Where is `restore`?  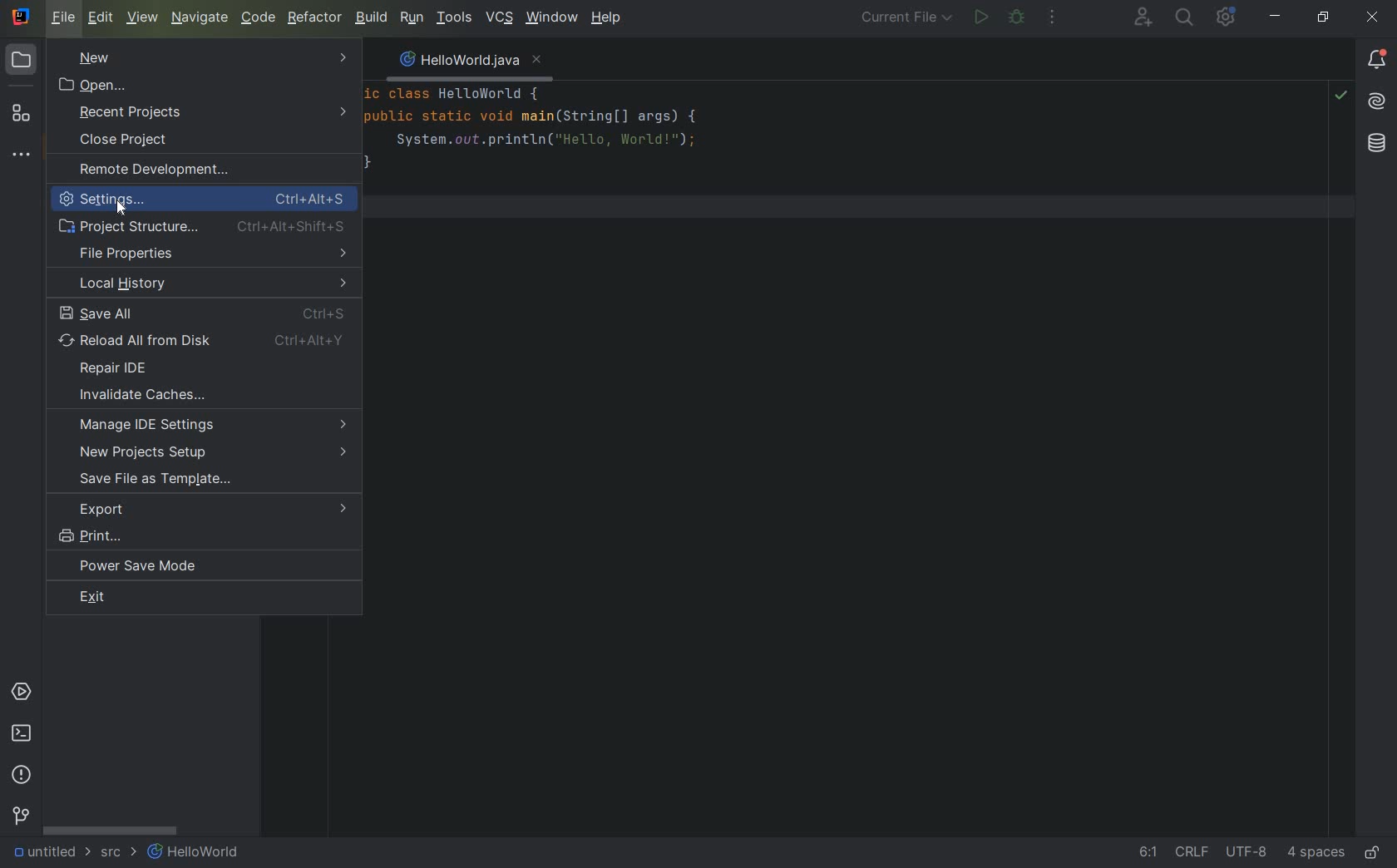 restore is located at coordinates (1325, 18).